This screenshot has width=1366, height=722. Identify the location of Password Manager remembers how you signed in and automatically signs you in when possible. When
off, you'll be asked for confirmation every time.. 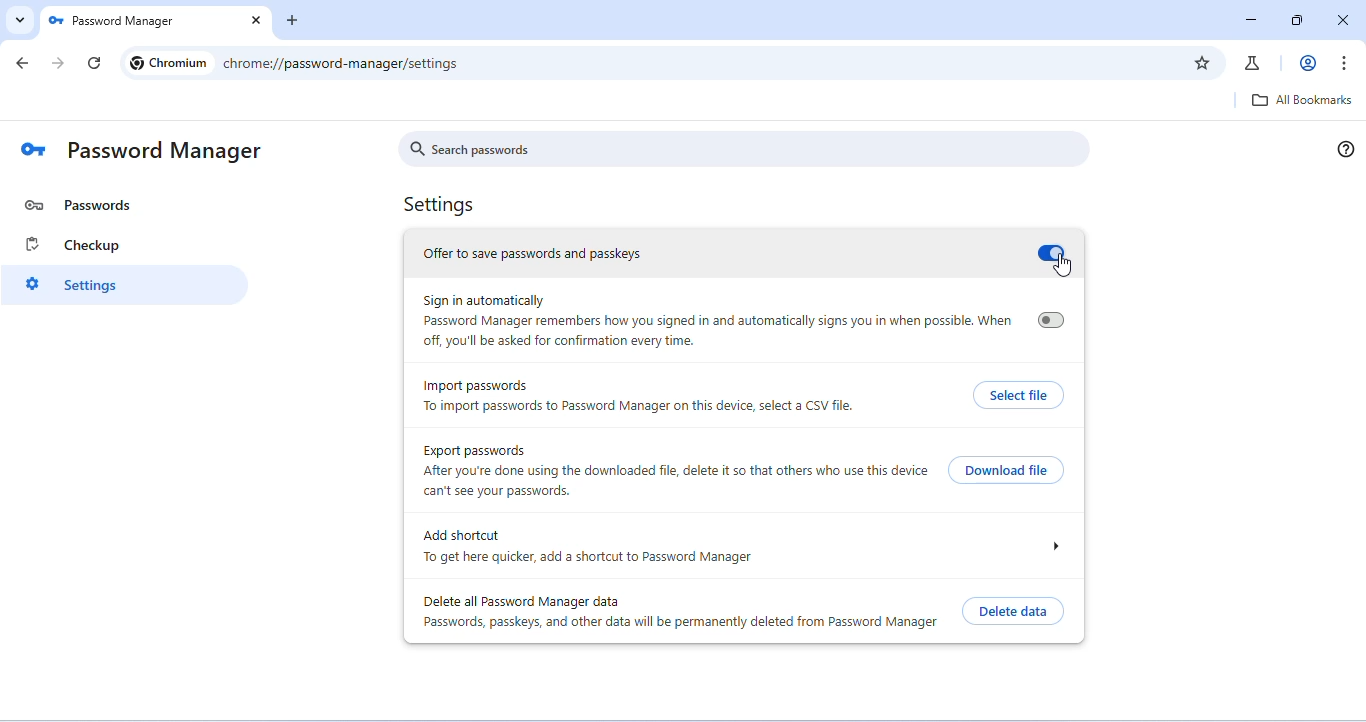
(717, 332).